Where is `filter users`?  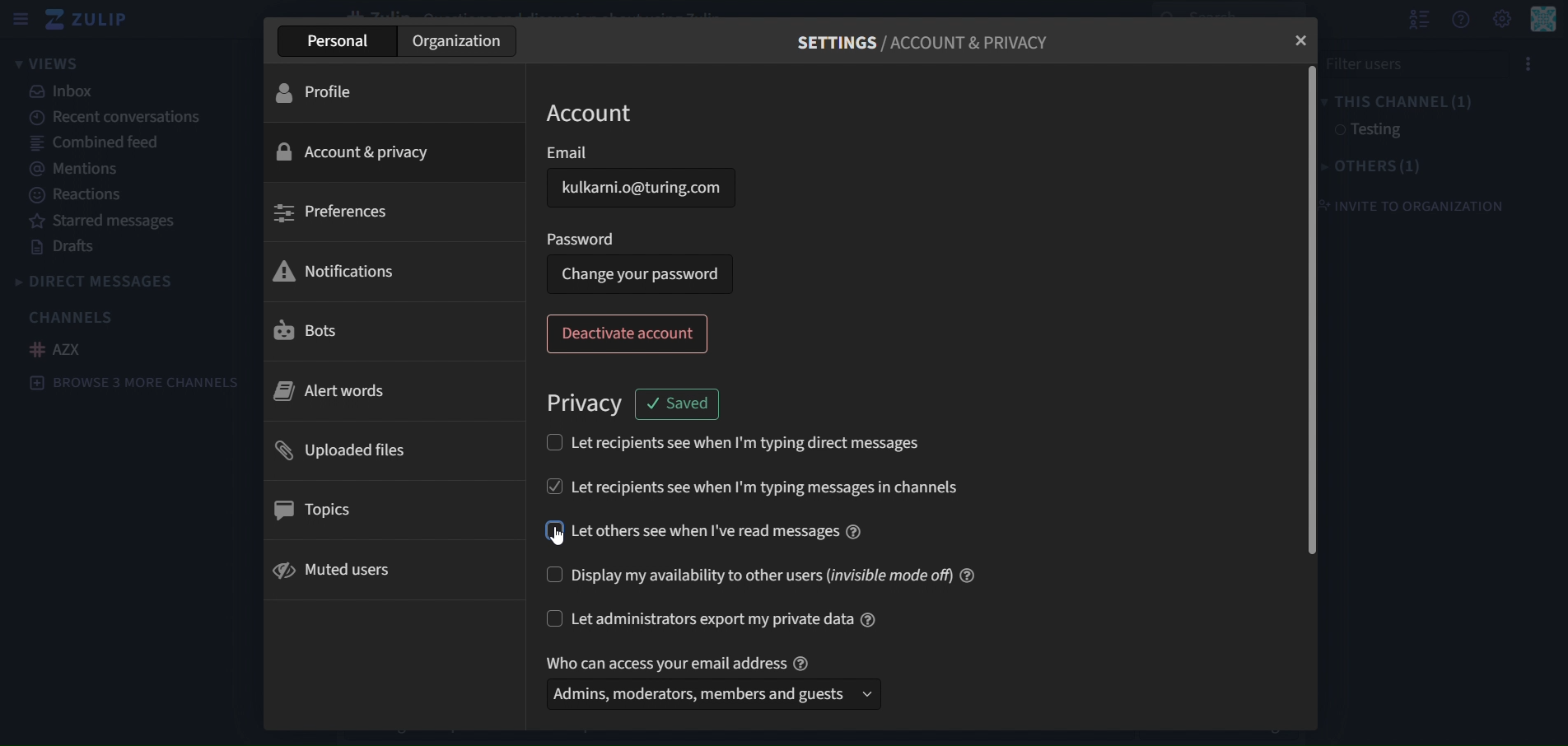
filter users is located at coordinates (1407, 64).